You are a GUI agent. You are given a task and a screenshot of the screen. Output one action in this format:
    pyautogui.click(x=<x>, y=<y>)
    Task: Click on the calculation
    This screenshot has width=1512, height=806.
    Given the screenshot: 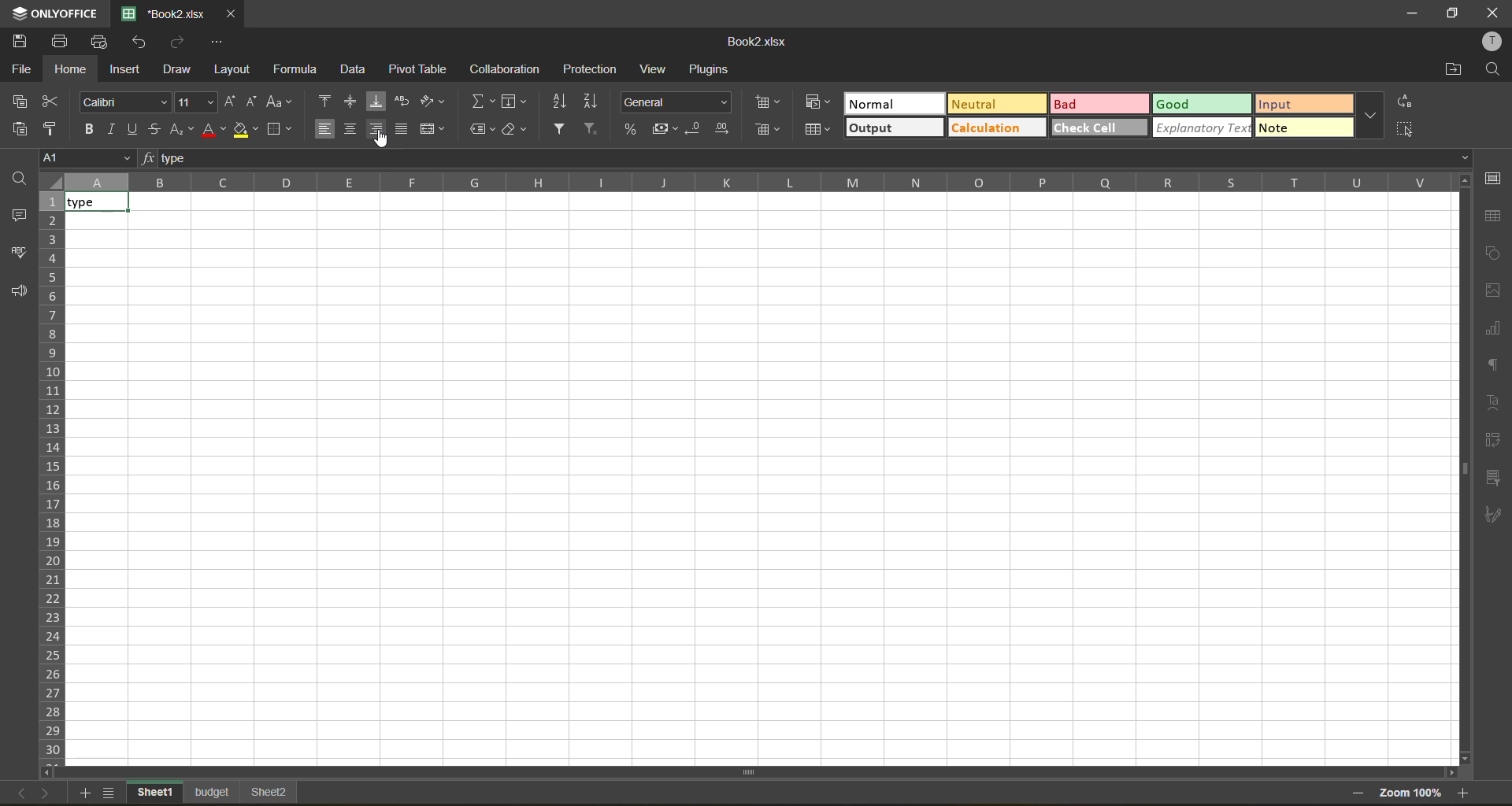 What is the action you would take?
    pyautogui.click(x=998, y=130)
    